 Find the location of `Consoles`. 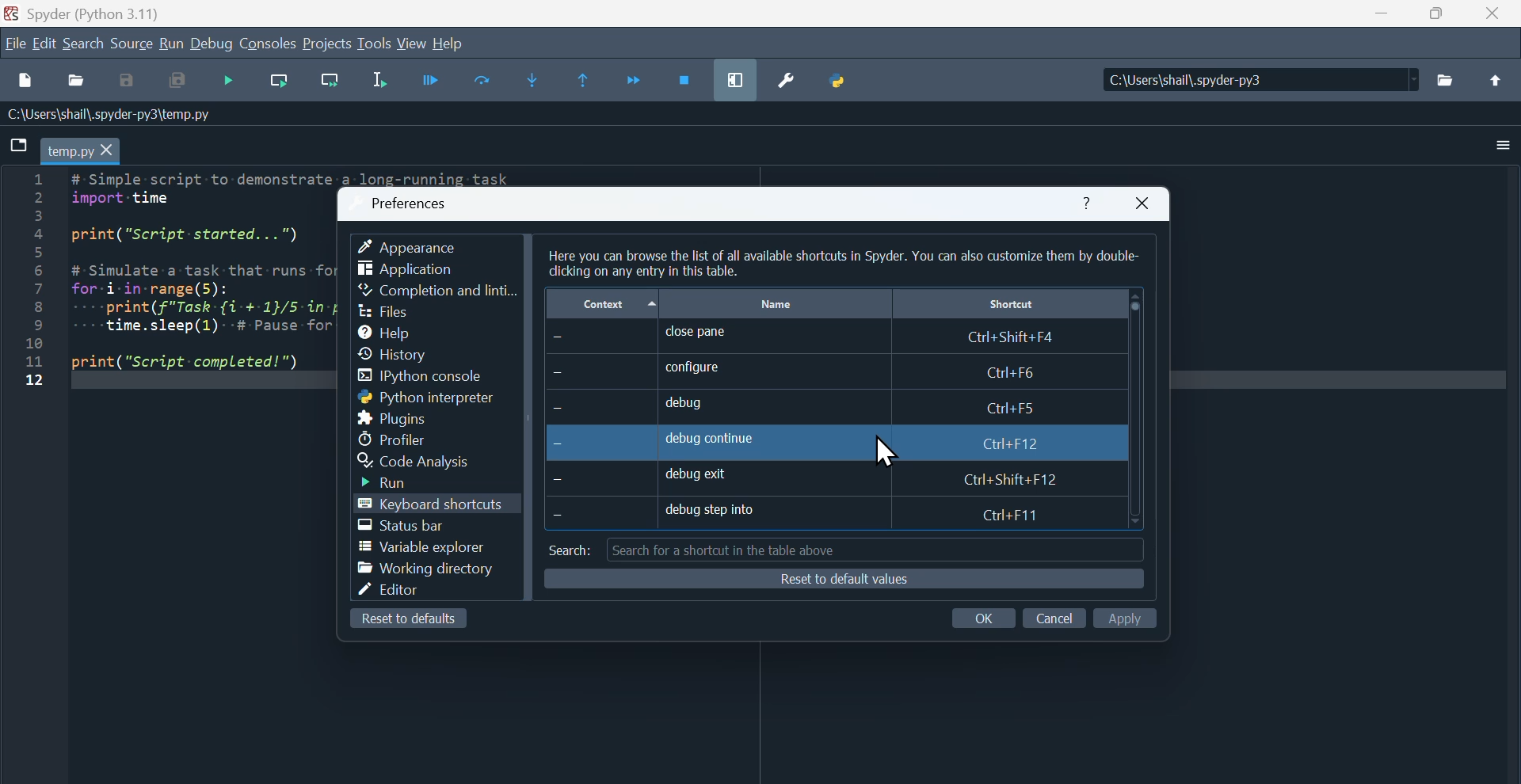

Consoles is located at coordinates (269, 43).